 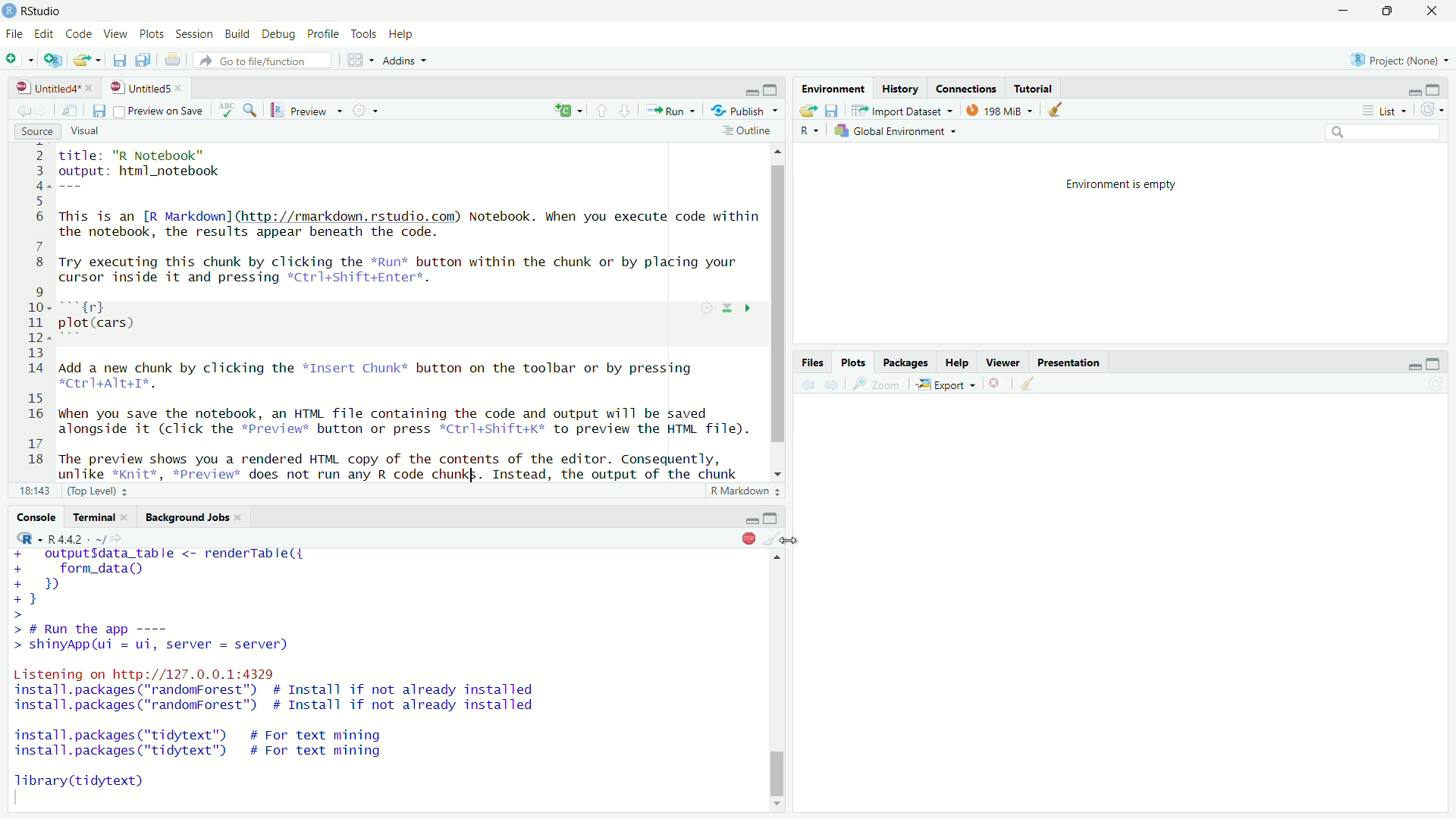 What do you see at coordinates (896, 131) in the screenshot?
I see `Global Environment ` at bounding box center [896, 131].